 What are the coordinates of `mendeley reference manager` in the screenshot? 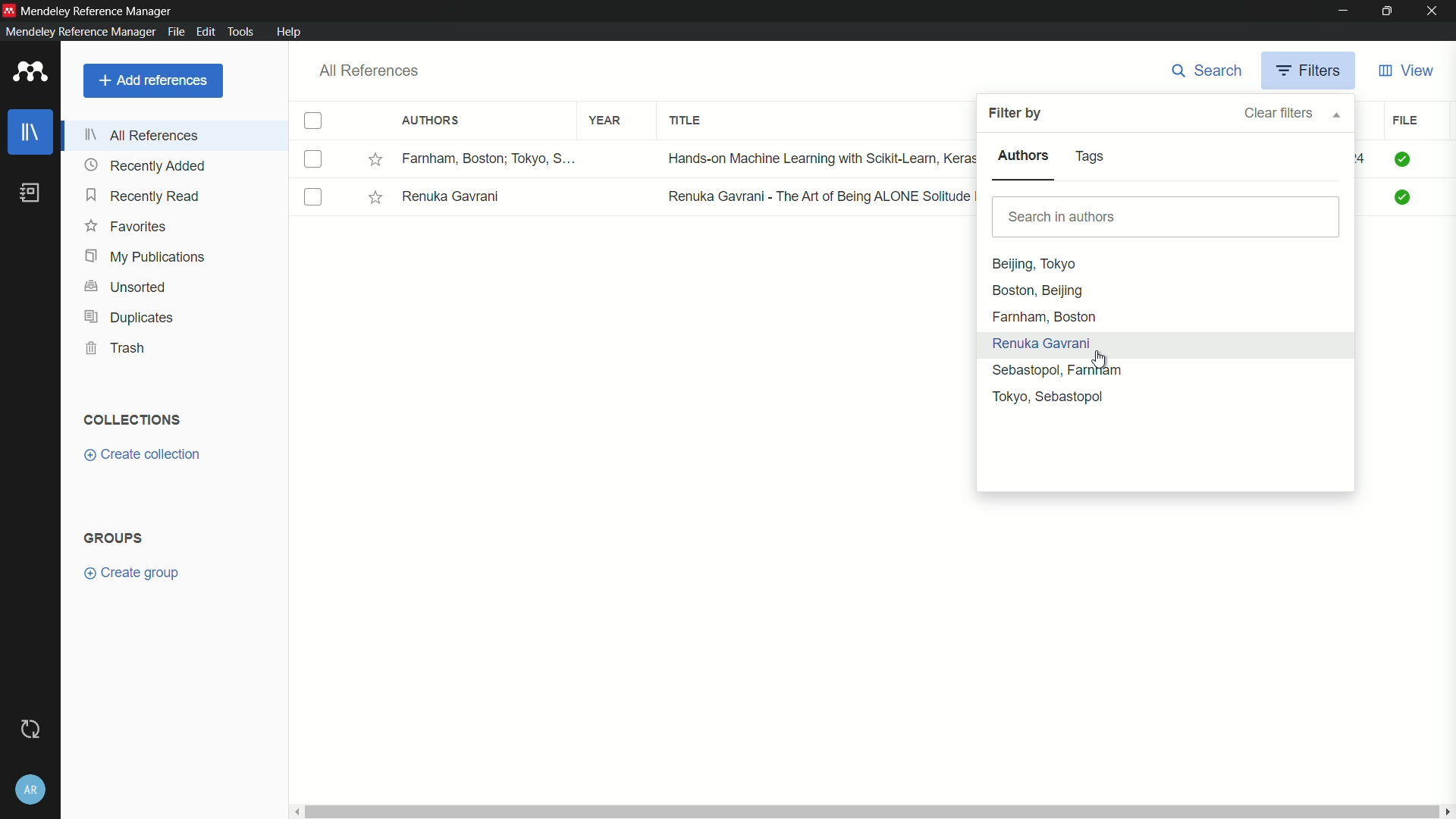 It's located at (80, 31).